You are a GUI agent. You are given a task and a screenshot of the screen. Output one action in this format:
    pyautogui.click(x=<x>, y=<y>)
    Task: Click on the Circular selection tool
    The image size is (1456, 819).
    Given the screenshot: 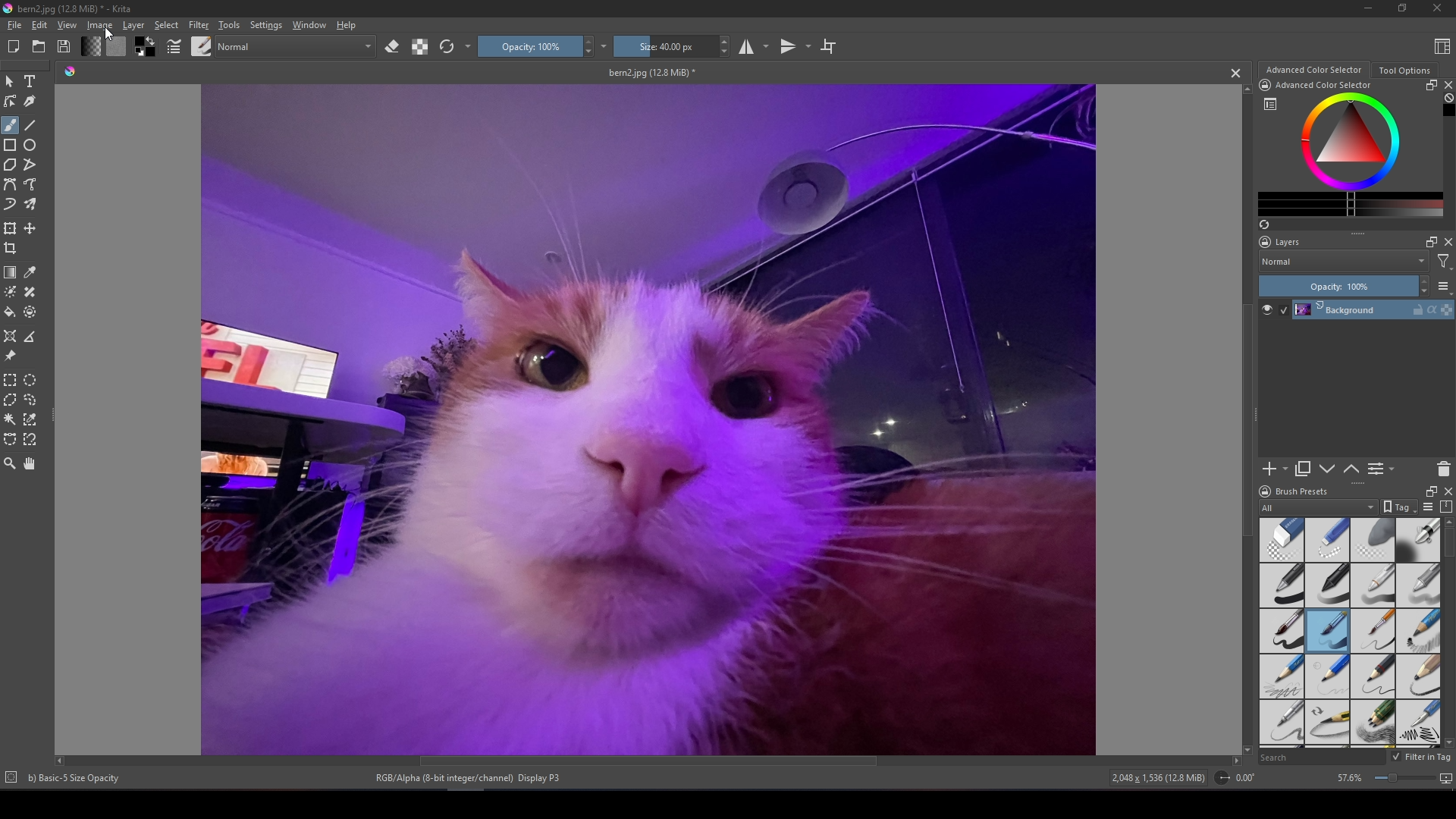 What is the action you would take?
    pyautogui.click(x=30, y=380)
    